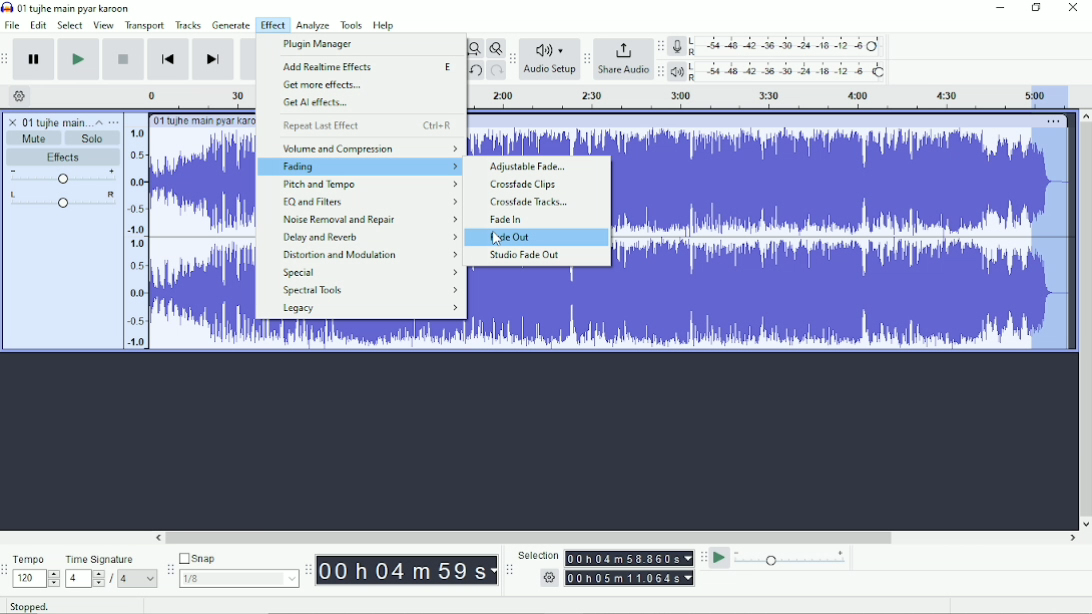 Image resolution: width=1092 pixels, height=614 pixels. Describe the element at coordinates (550, 59) in the screenshot. I see `Audio Setup` at that location.